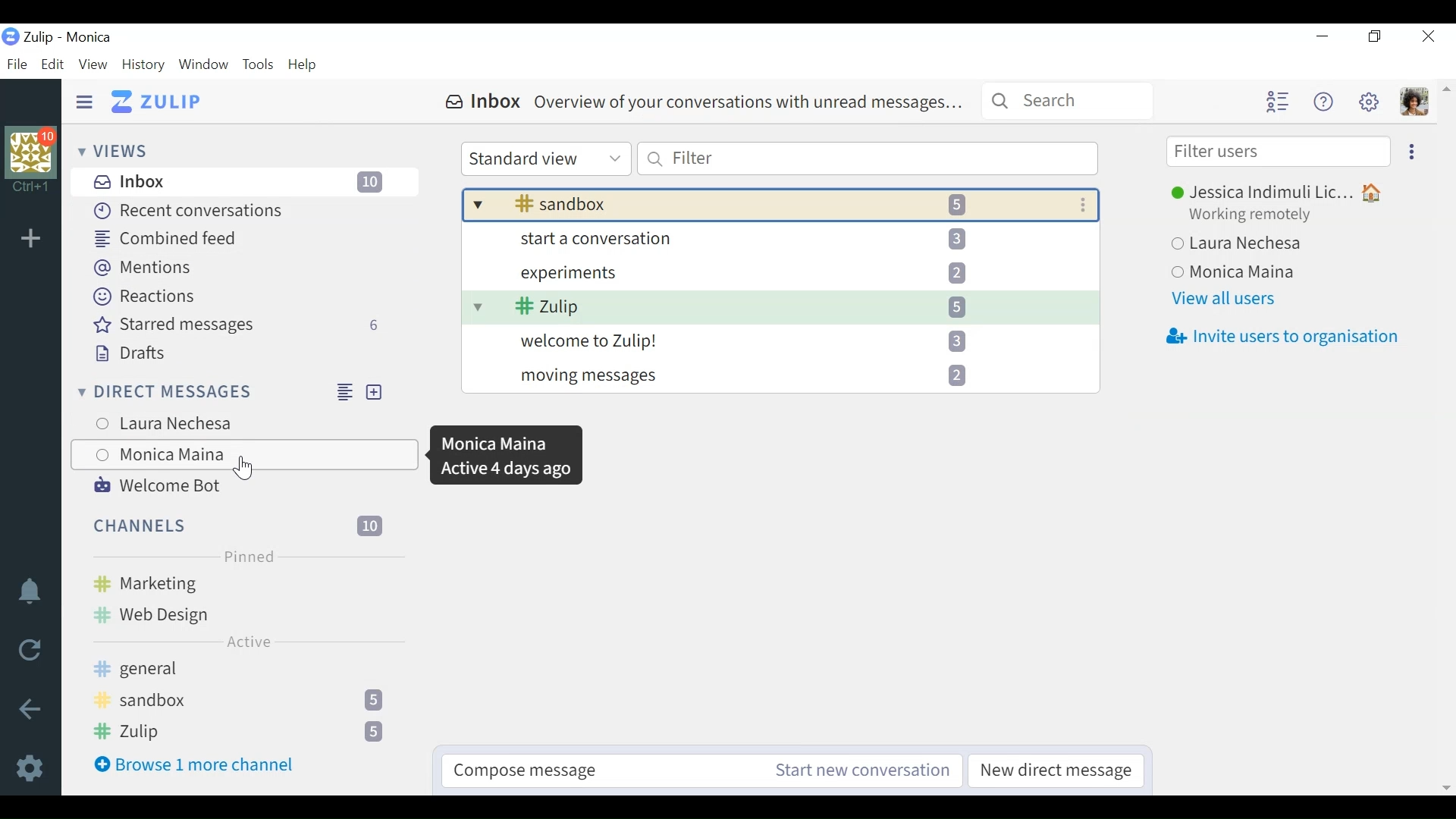  I want to click on general, so click(240, 670).